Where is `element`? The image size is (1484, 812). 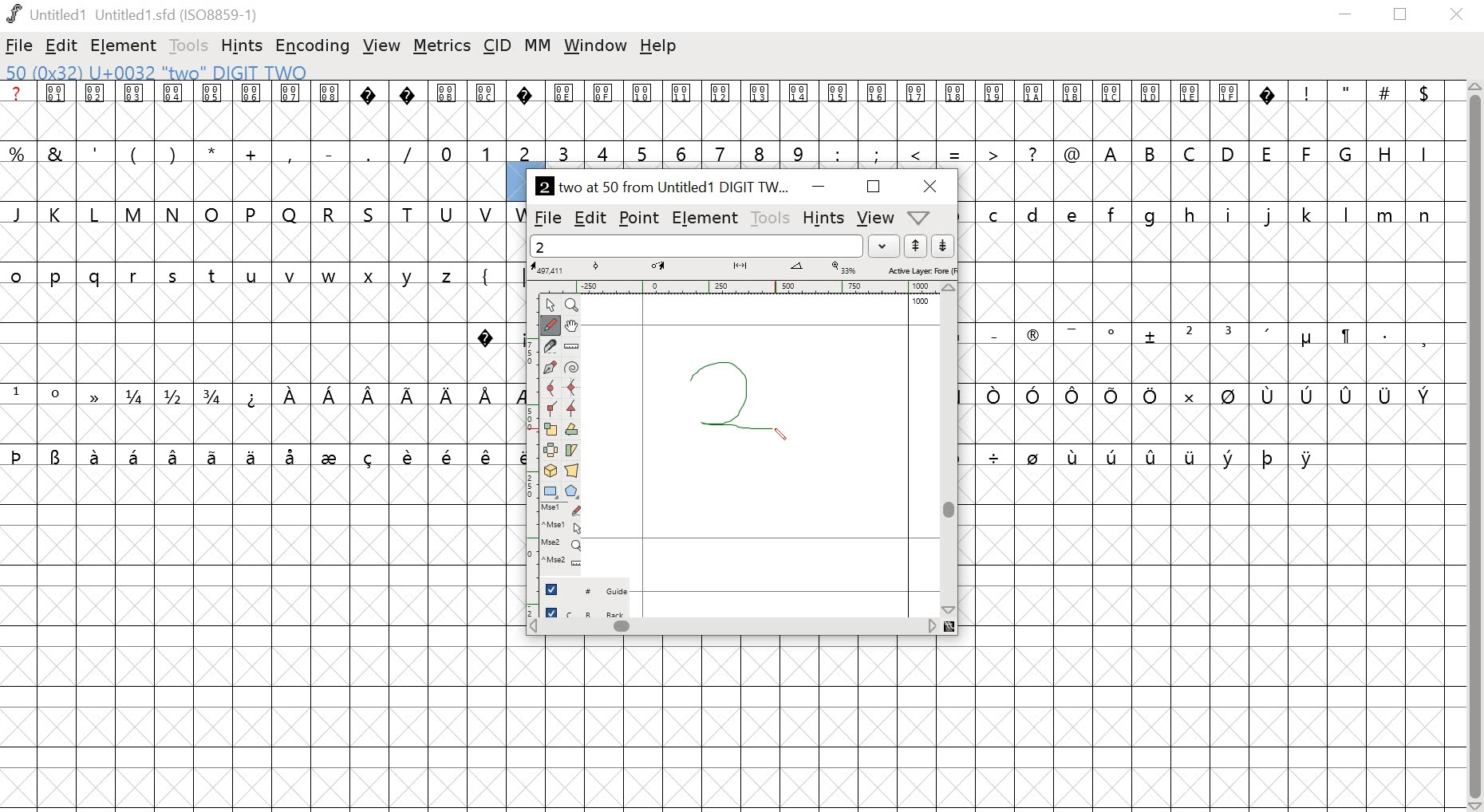 element is located at coordinates (708, 218).